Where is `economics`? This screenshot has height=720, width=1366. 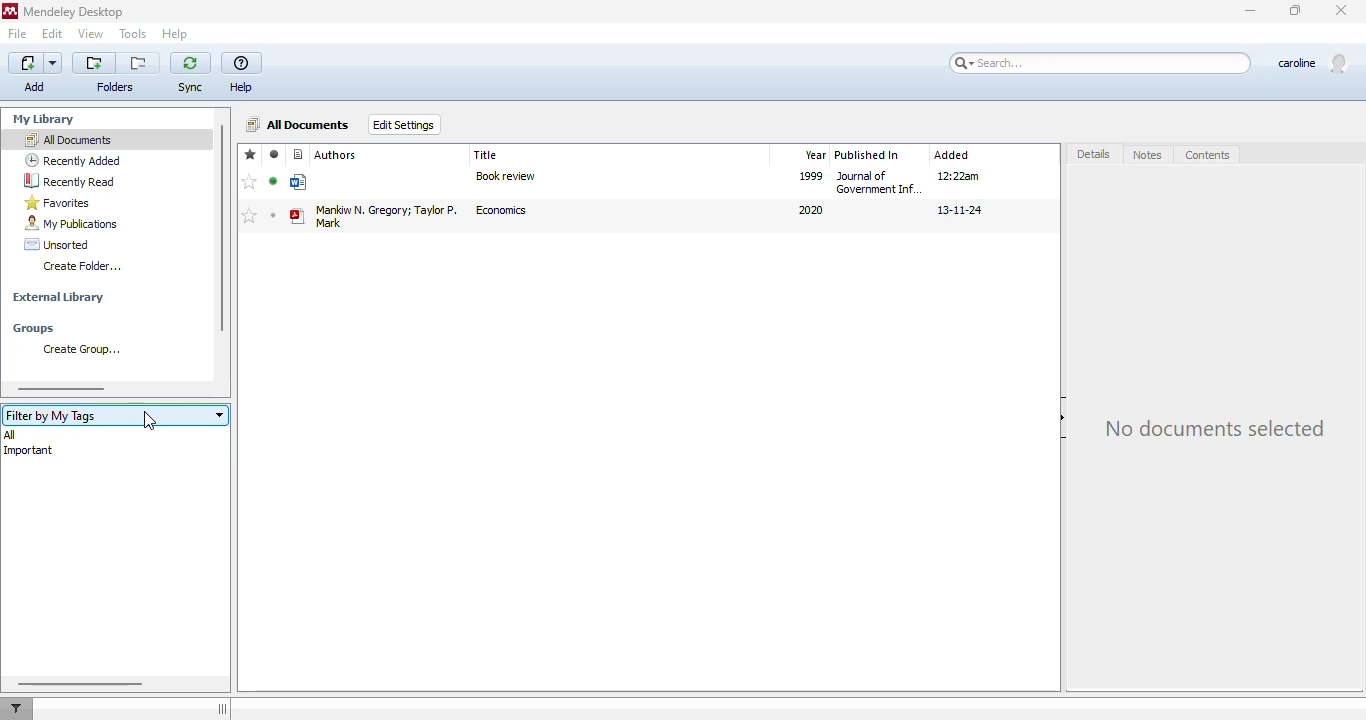 economics is located at coordinates (501, 210).